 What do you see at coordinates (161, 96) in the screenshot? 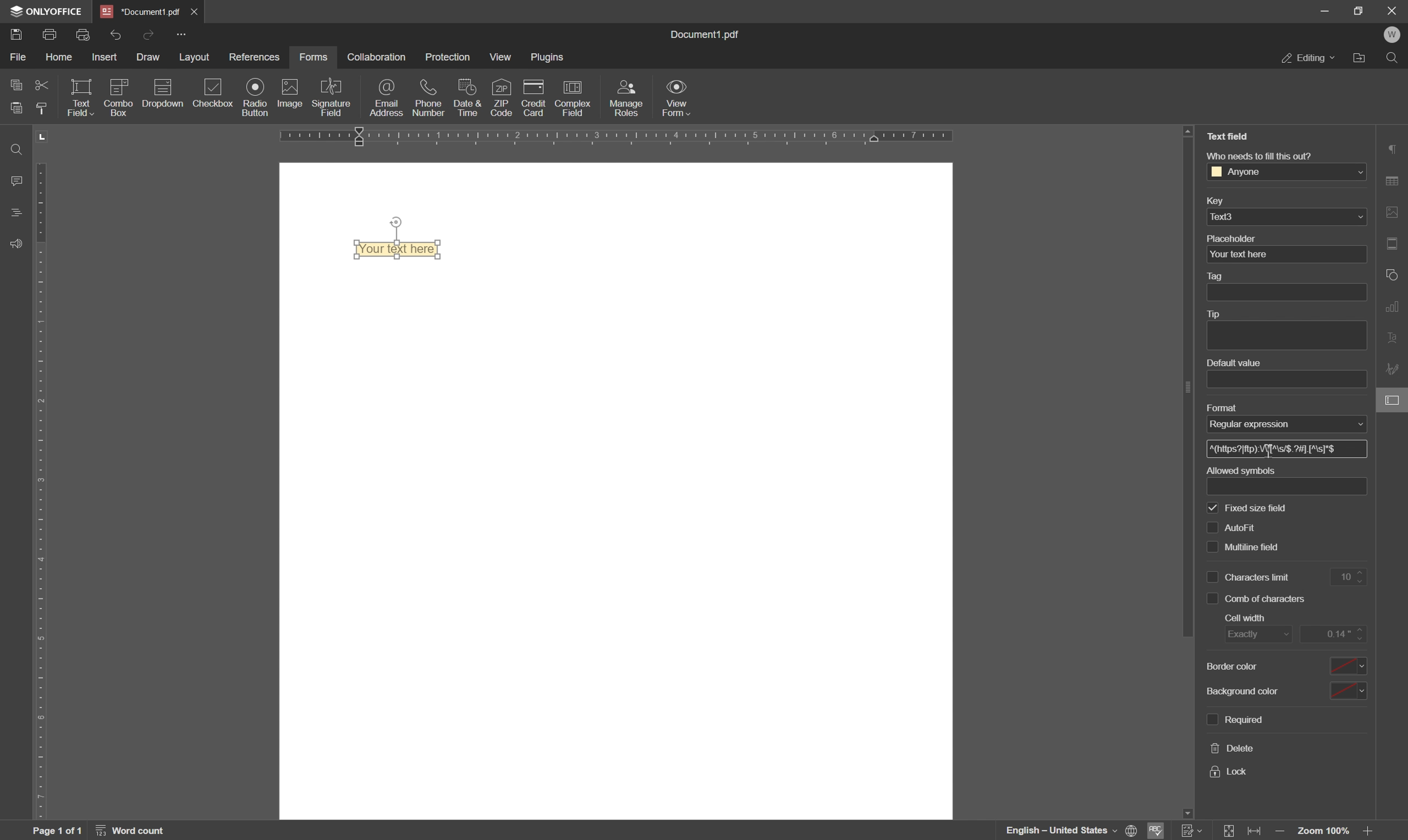
I see `icon` at bounding box center [161, 96].